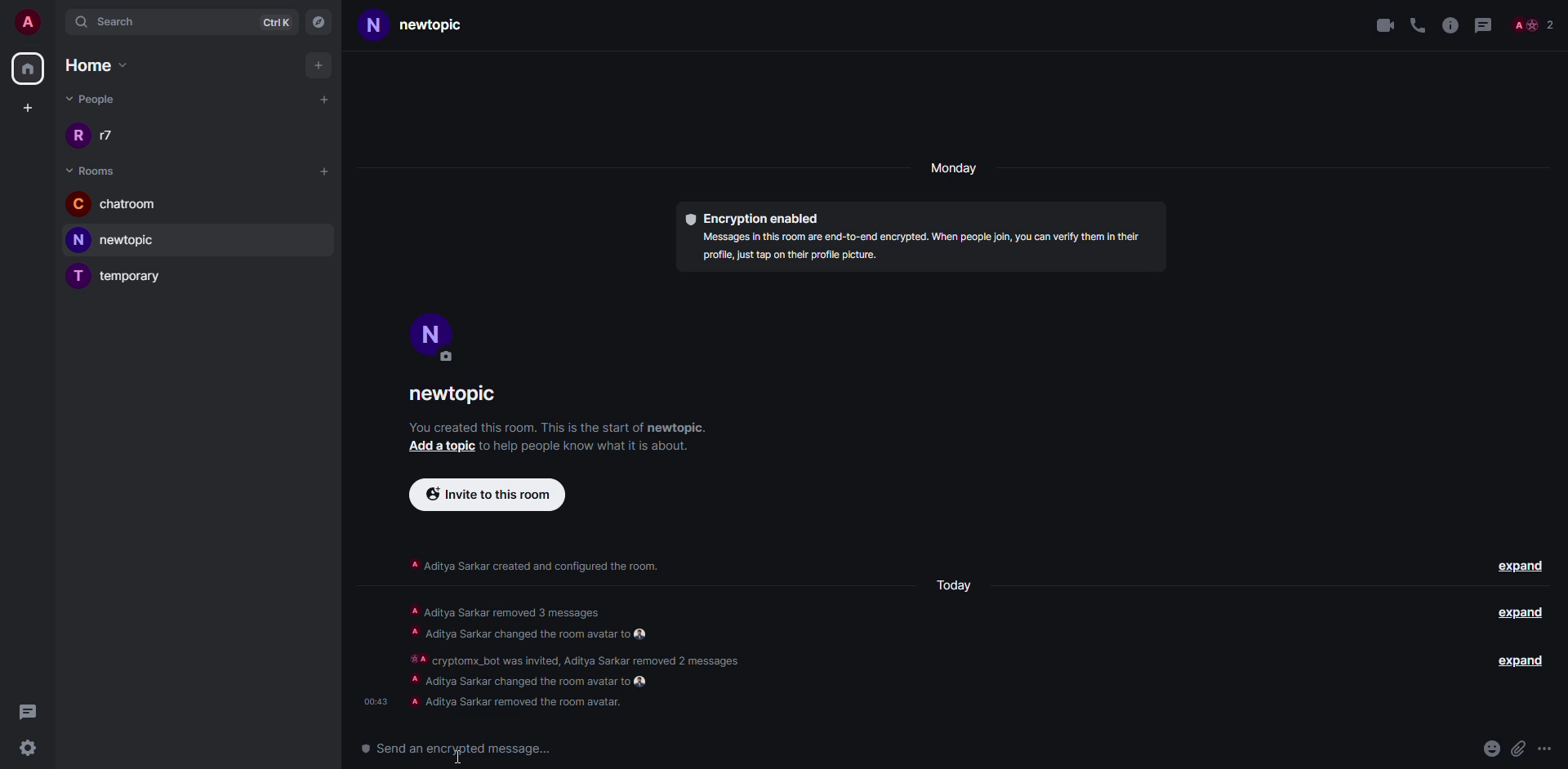  I want to click on expand, so click(1522, 566).